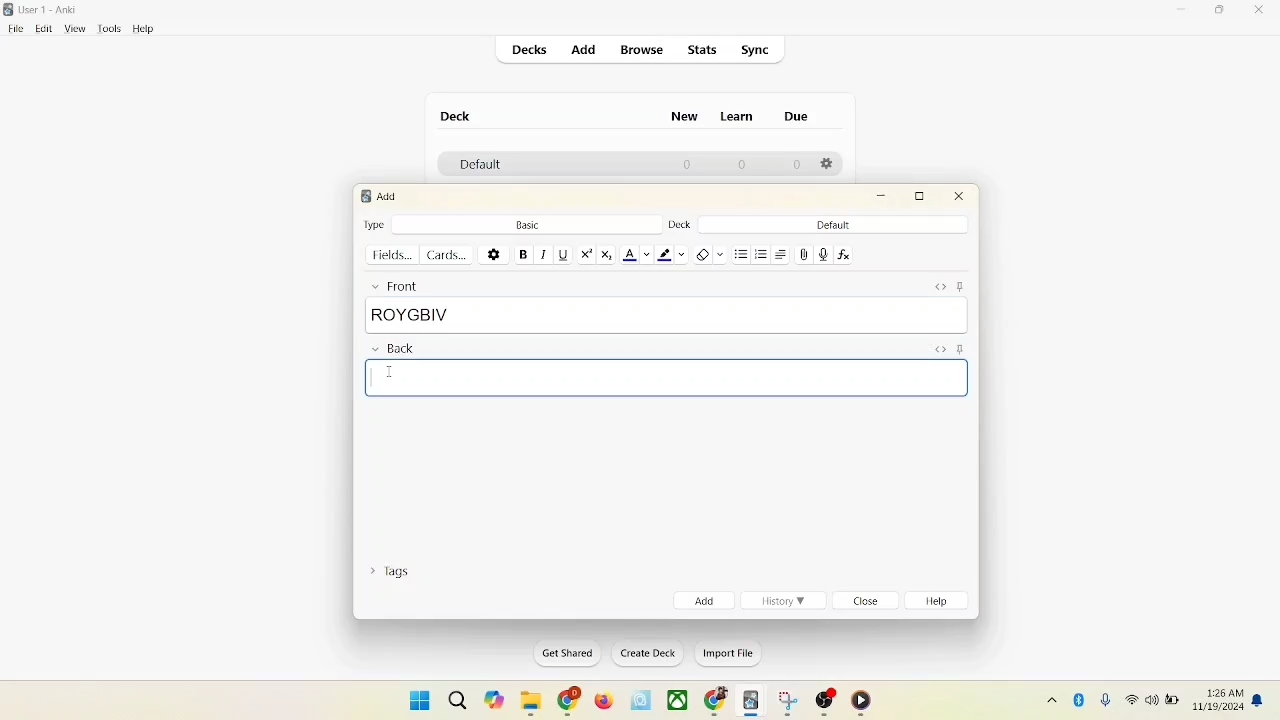 The height and width of the screenshot is (720, 1280). I want to click on add, so click(702, 600).